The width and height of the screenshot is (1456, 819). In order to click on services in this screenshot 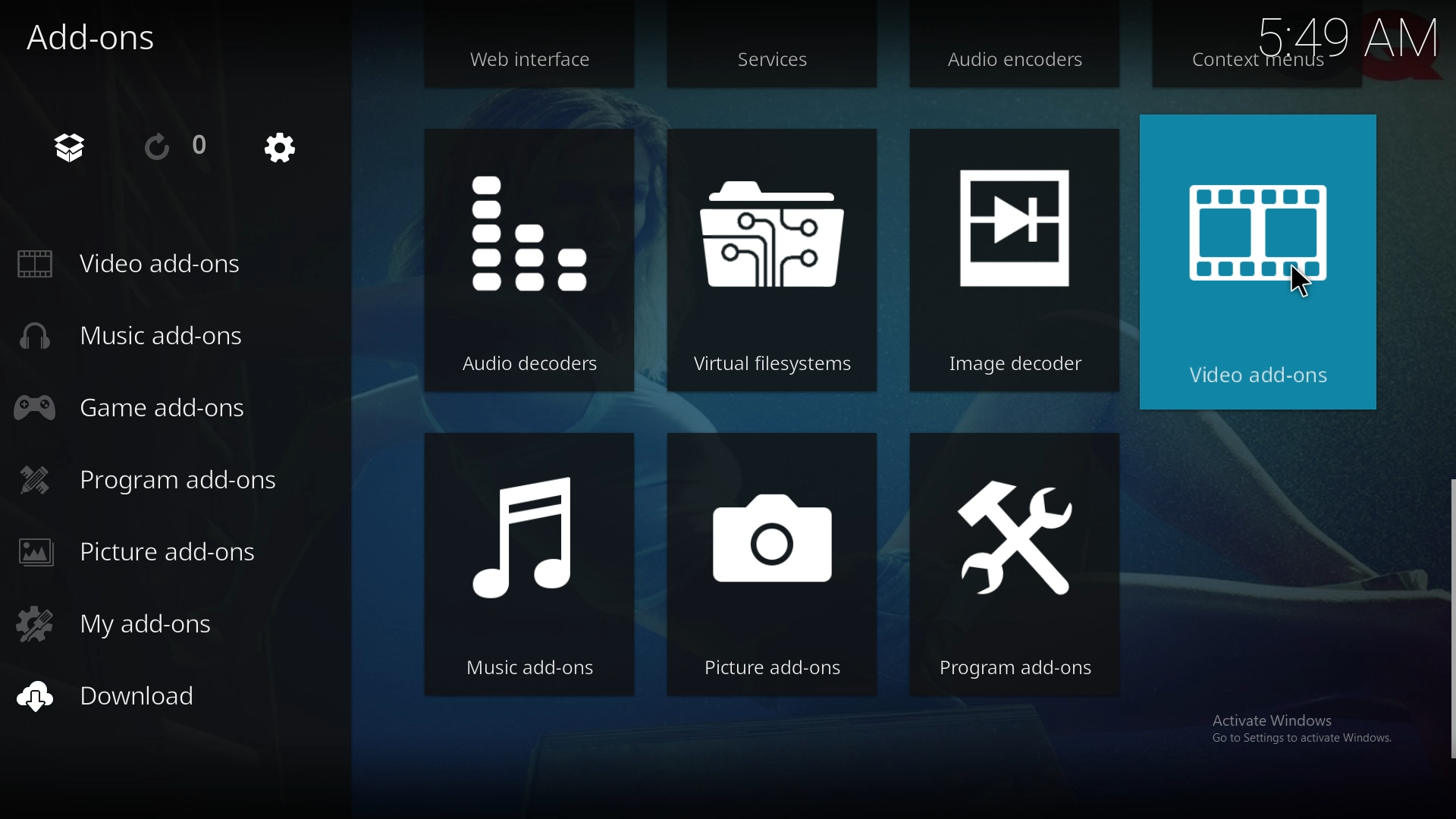, I will do `click(770, 41)`.